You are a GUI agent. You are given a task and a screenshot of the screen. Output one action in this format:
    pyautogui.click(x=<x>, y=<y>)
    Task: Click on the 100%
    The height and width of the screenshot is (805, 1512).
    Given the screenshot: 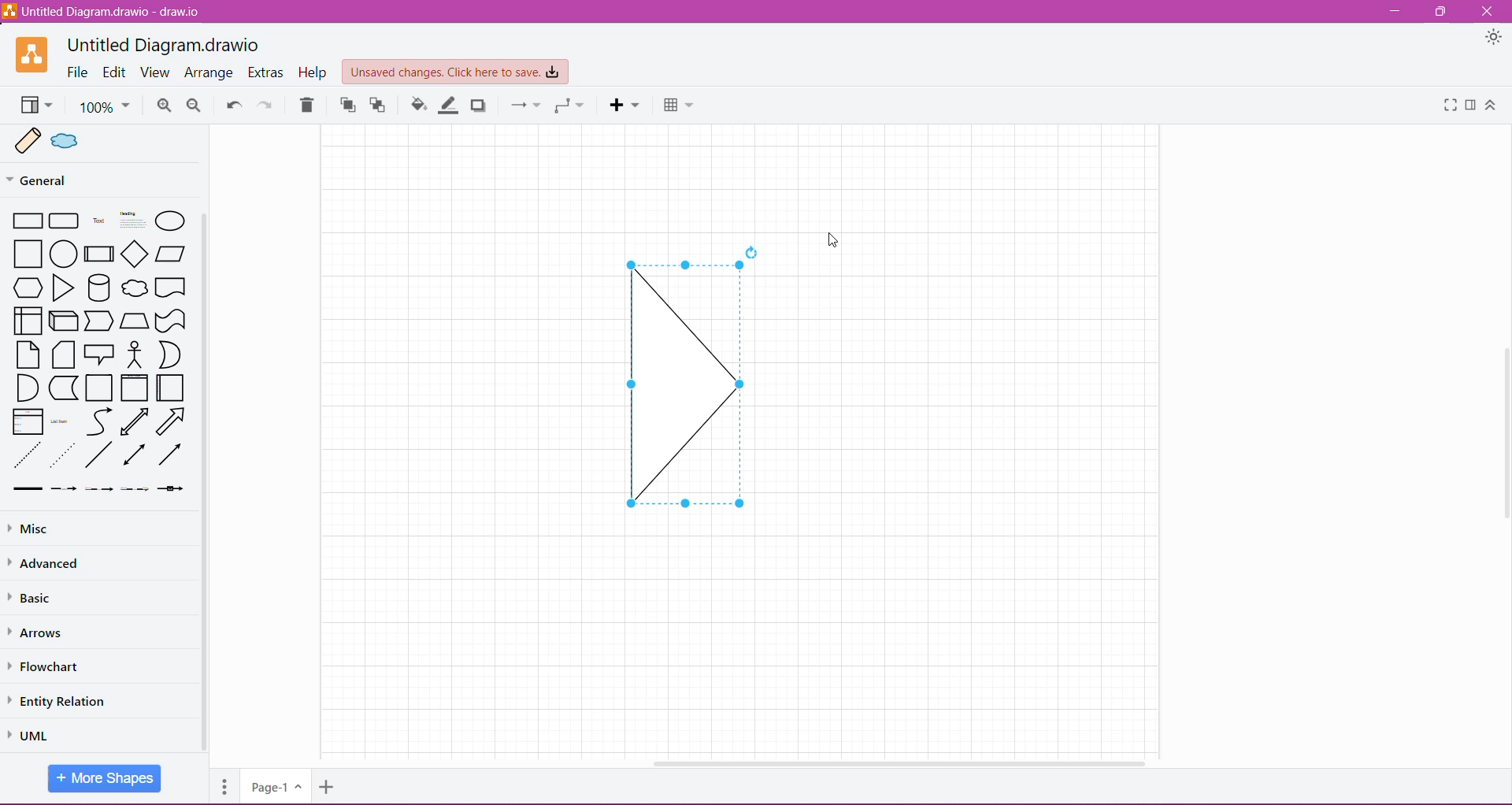 What is the action you would take?
    pyautogui.click(x=105, y=107)
    